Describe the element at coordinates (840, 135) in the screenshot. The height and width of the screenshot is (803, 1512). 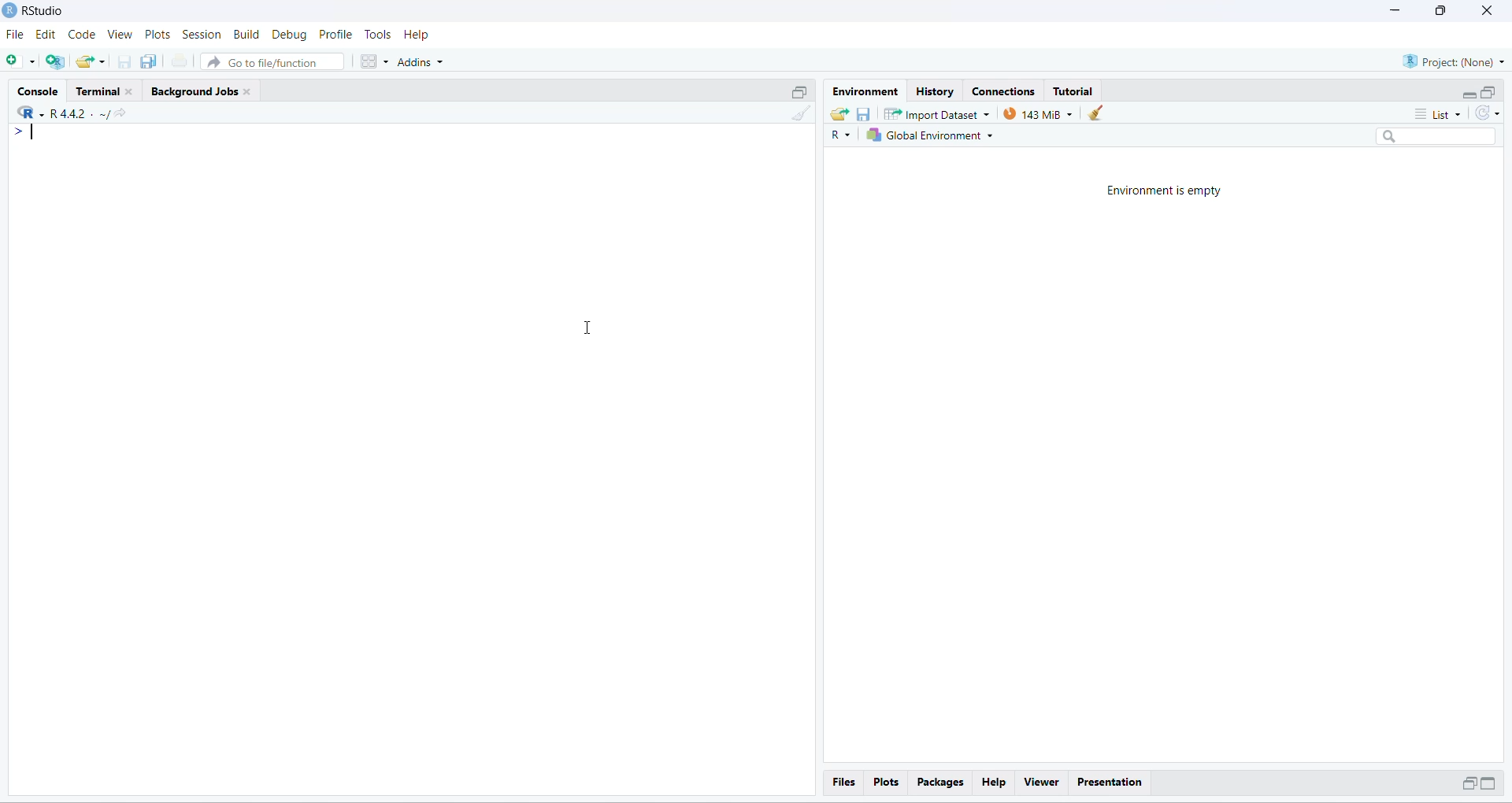
I see `R` at that location.